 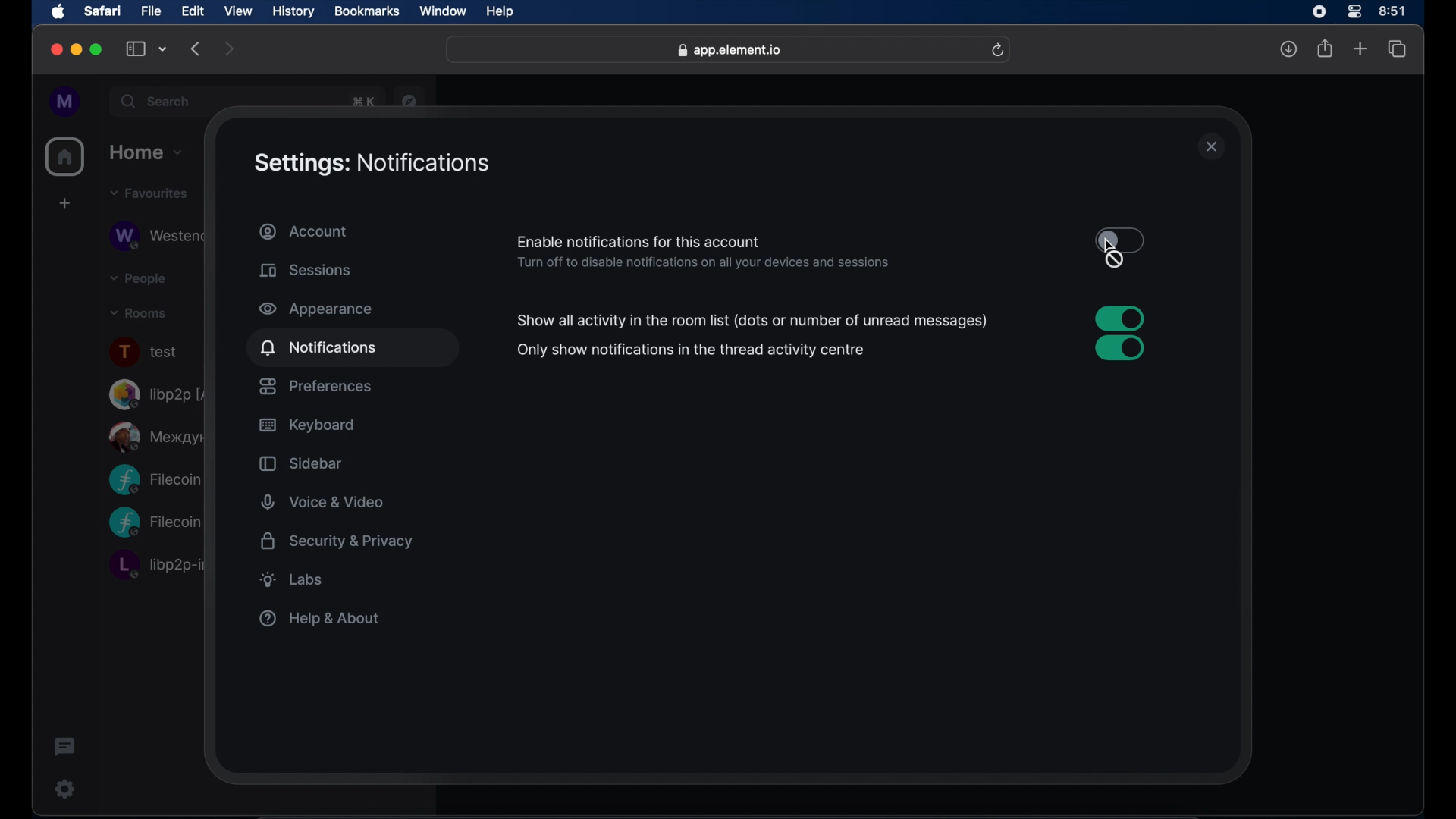 What do you see at coordinates (1288, 49) in the screenshot?
I see `downloads` at bounding box center [1288, 49].